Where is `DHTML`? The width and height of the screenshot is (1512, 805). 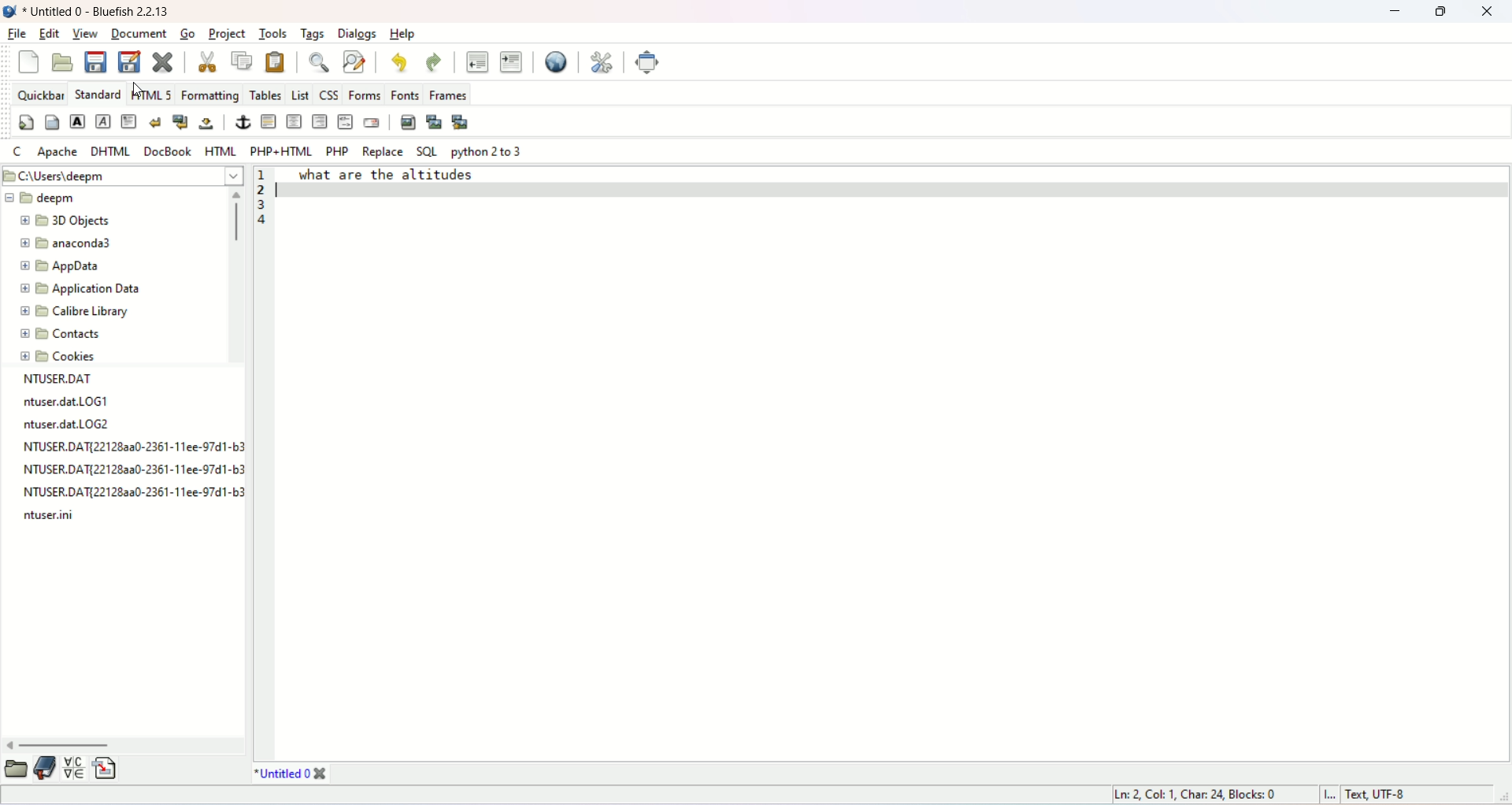 DHTML is located at coordinates (112, 152).